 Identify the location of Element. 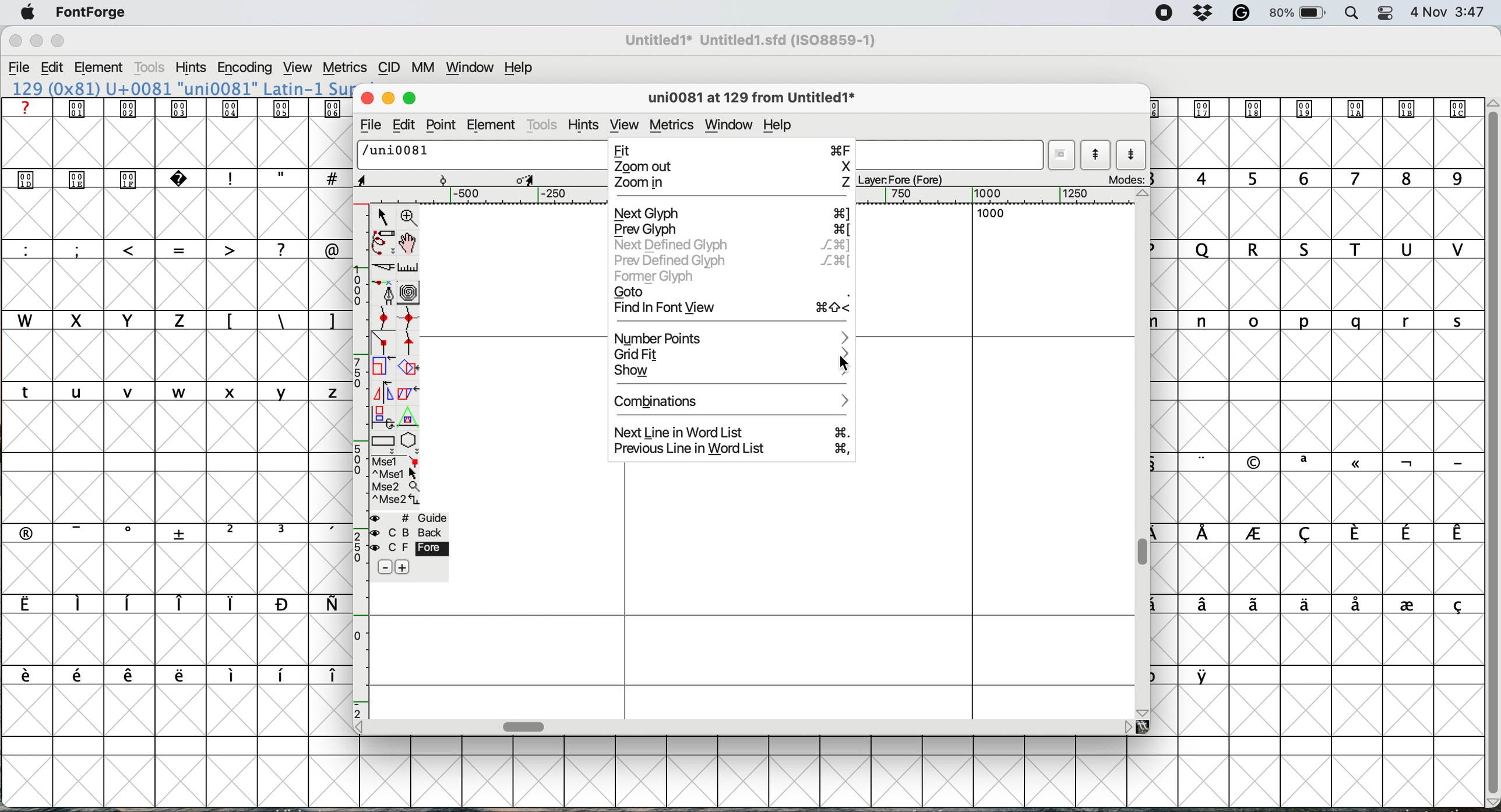
(99, 69).